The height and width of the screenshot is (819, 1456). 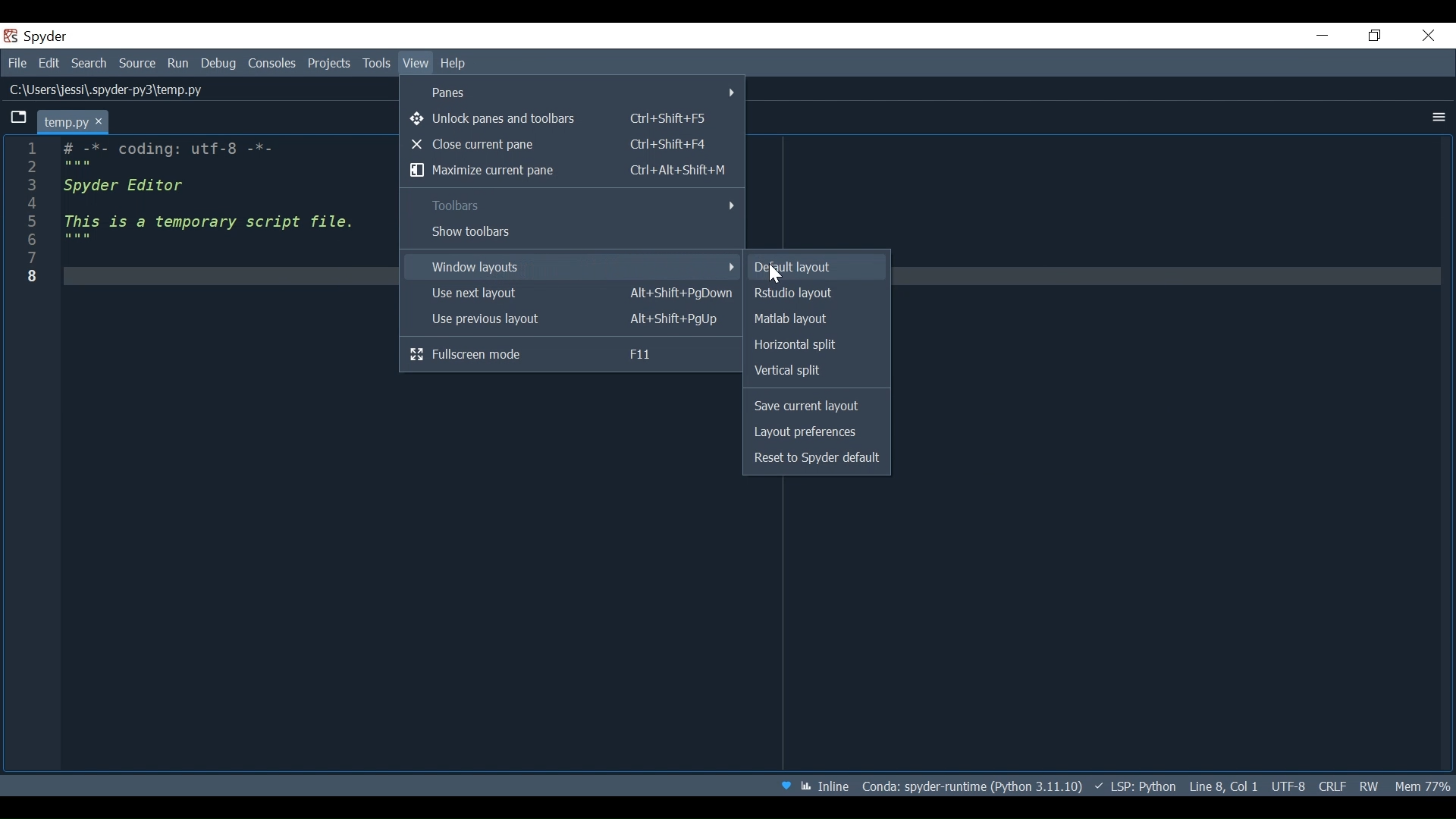 What do you see at coordinates (818, 460) in the screenshot?
I see `Reset to Spyder default` at bounding box center [818, 460].